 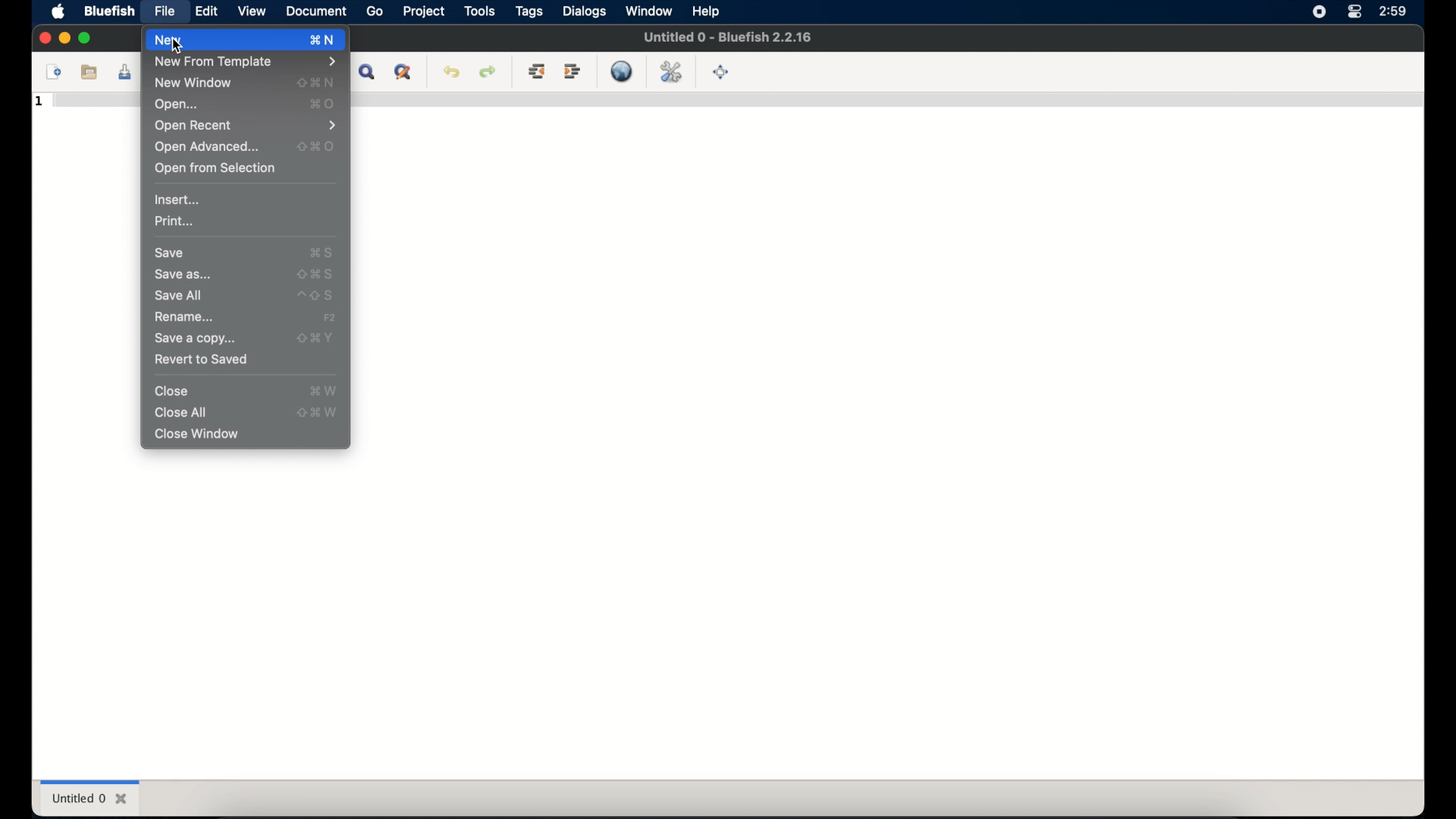 I want to click on close, so click(x=173, y=391).